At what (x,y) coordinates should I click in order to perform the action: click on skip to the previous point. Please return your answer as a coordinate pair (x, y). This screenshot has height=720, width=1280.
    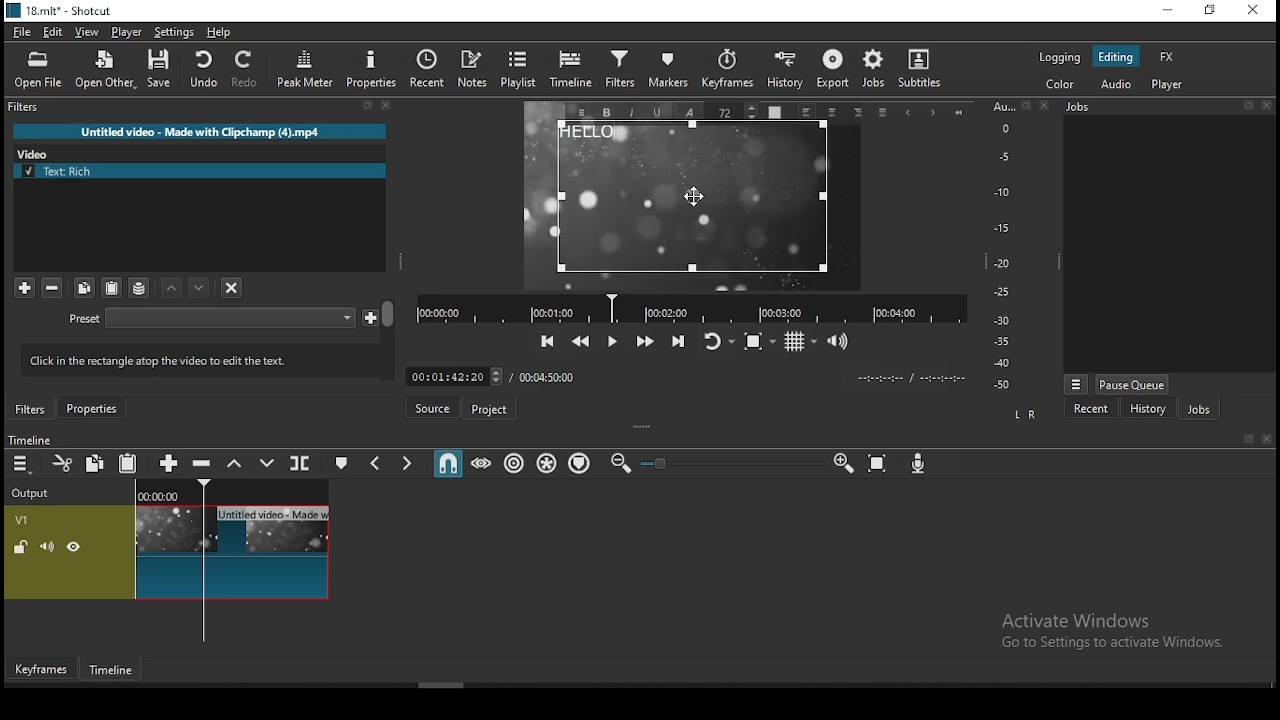
    Looking at the image, I should click on (548, 341).